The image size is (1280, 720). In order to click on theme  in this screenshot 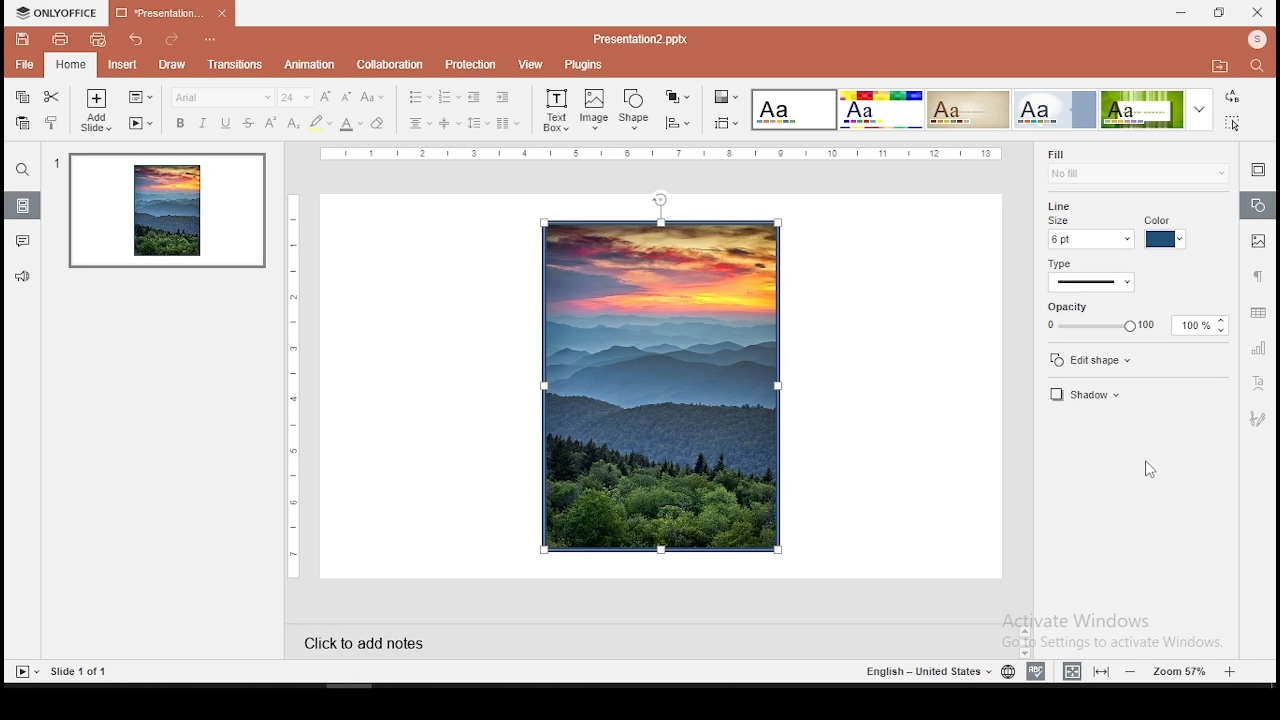, I will do `click(1157, 109)`.